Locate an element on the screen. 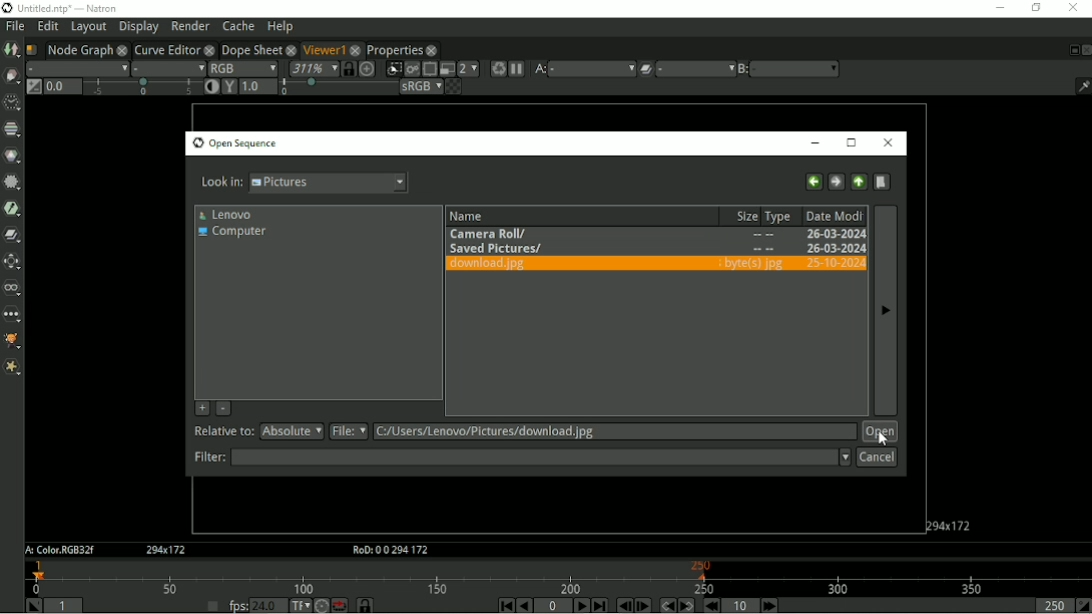 The height and width of the screenshot is (614, 1092). Name is located at coordinates (466, 216).